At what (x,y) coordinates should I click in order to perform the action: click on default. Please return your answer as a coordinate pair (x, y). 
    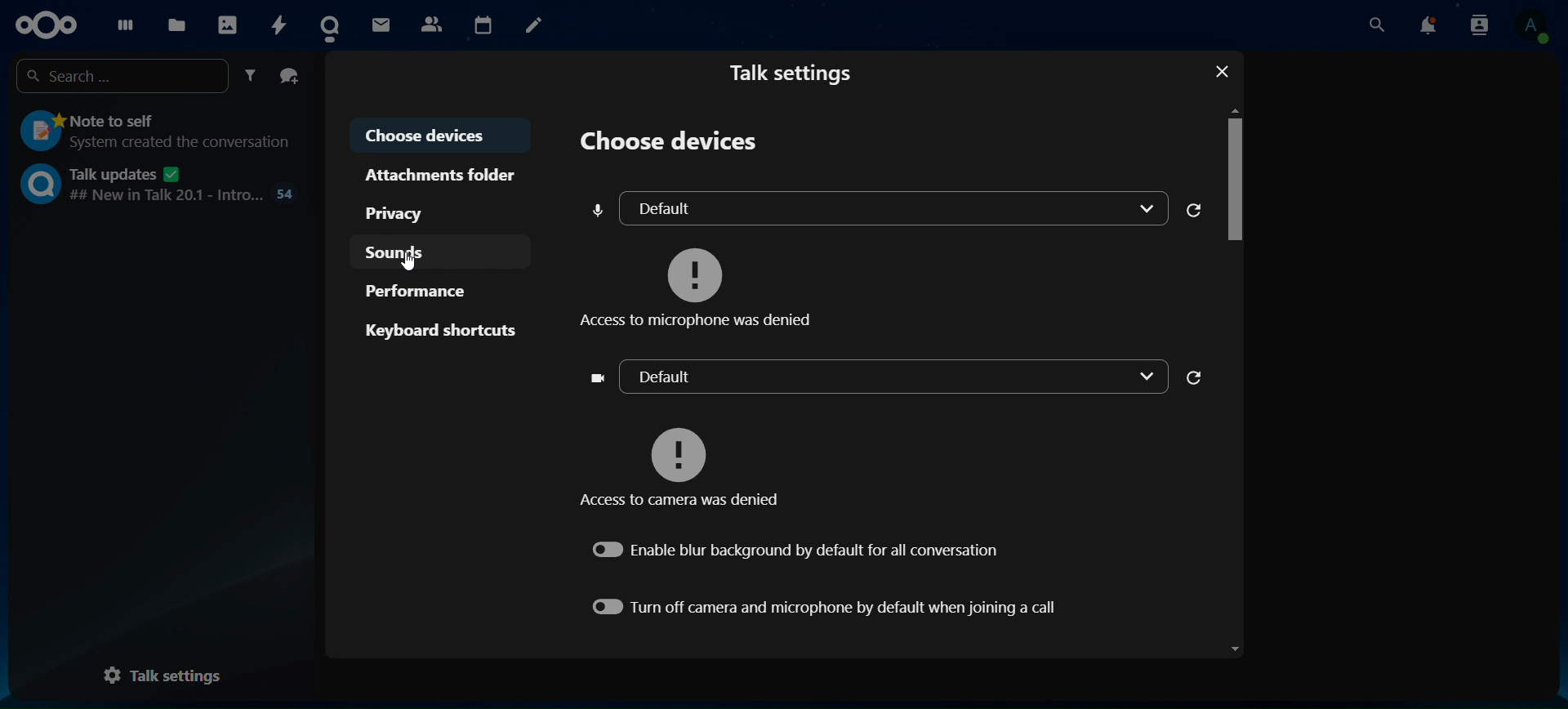
    Looking at the image, I should click on (880, 377).